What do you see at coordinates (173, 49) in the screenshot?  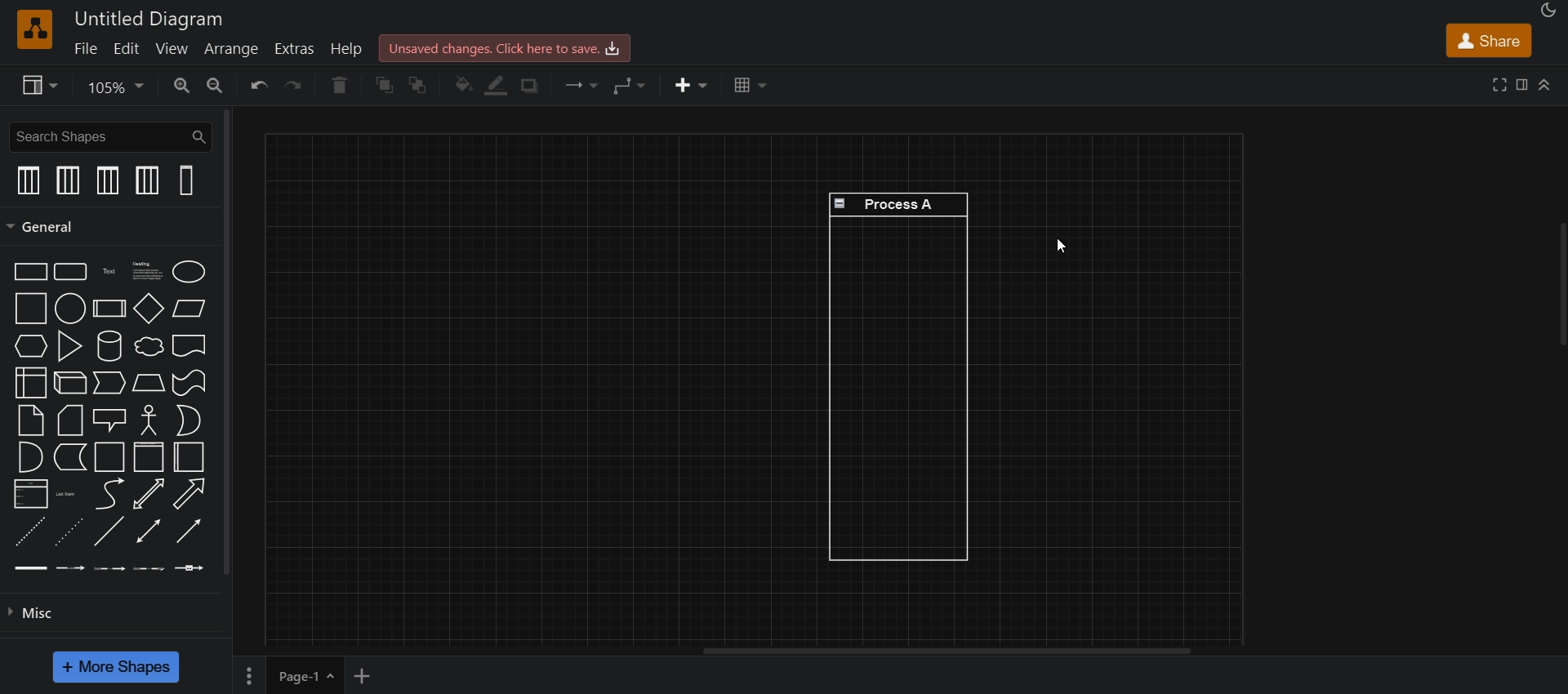 I see `view` at bounding box center [173, 49].